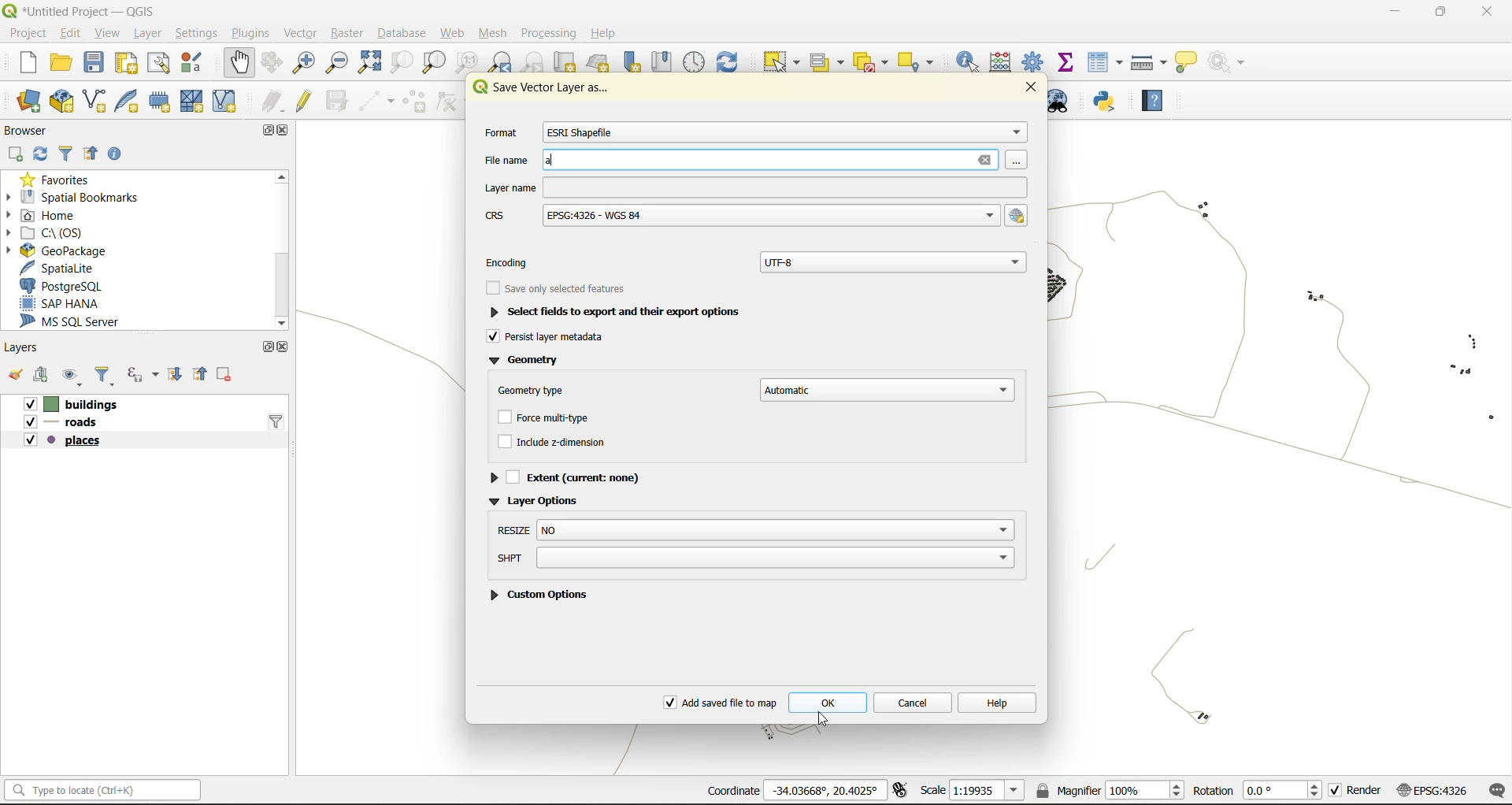  I want to click on  roads, so click(68, 423).